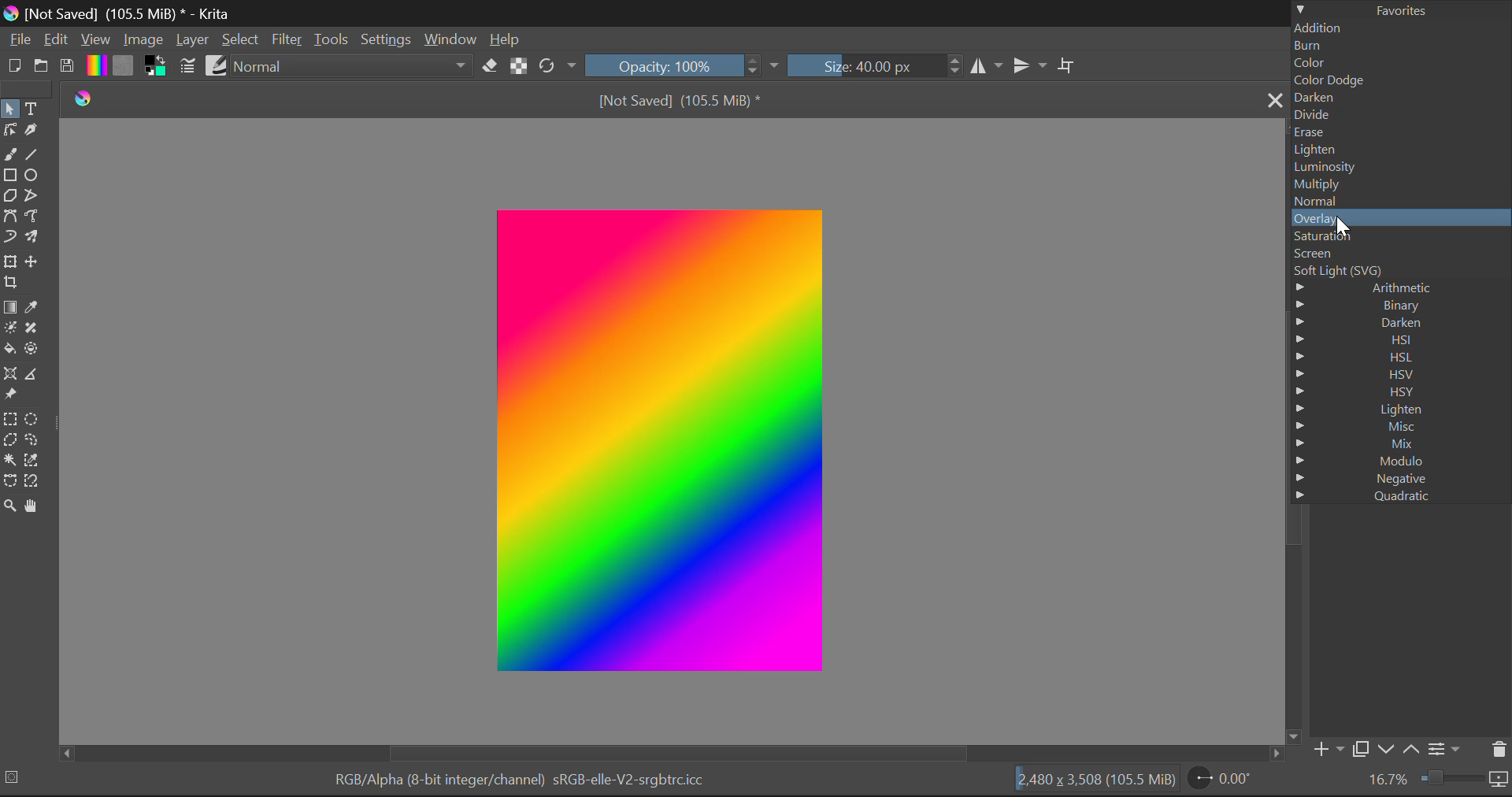 Image resolution: width=1512 pixels, height=797 pixels. Describe the element at coordinates (1362, 747) in the screenshot. I see `Copy Layer` at that location.